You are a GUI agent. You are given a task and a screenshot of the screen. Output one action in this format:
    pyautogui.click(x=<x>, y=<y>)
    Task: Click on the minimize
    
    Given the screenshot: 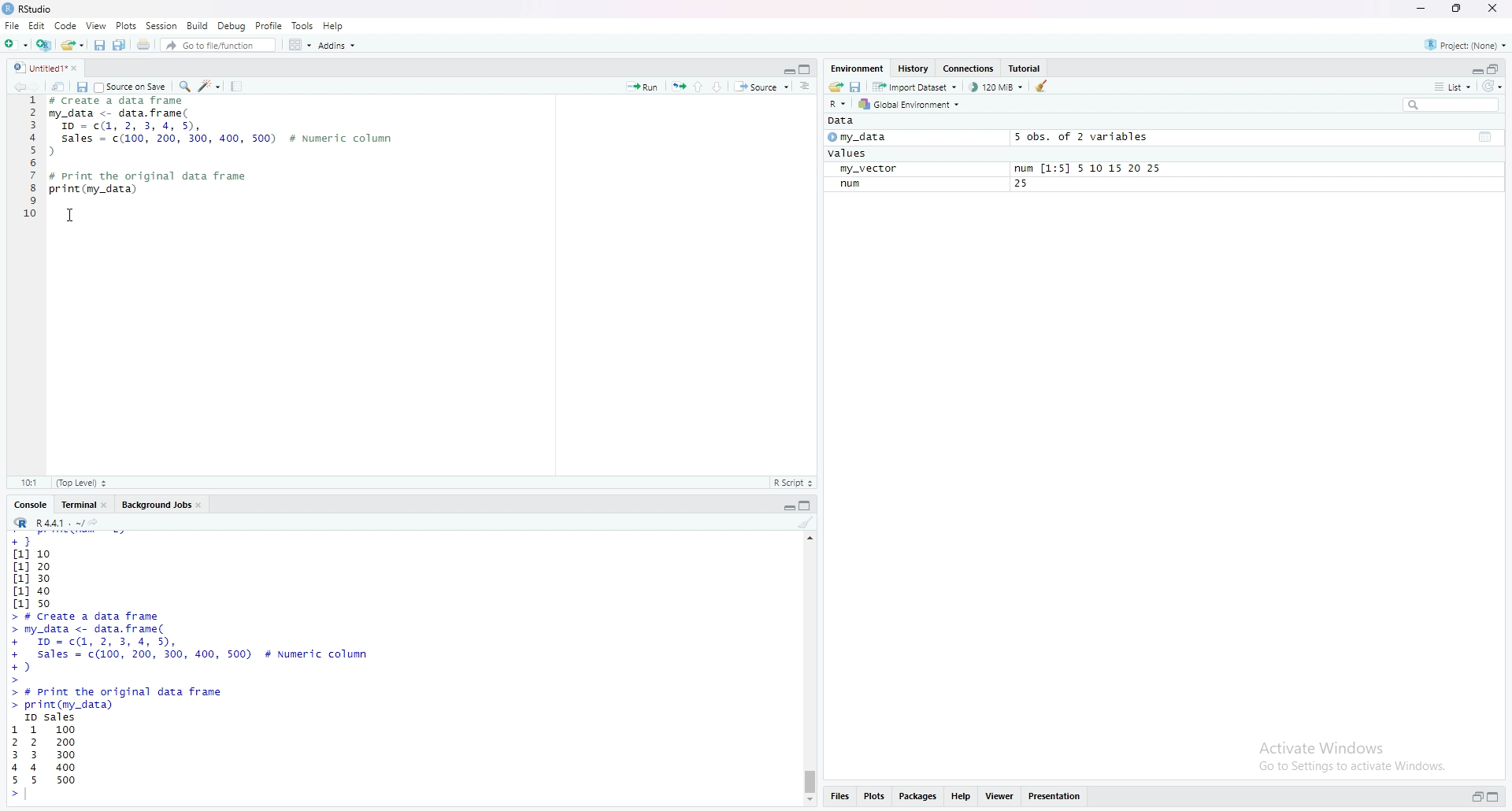 What is the action you would take?
    pyautogui.click(x=784, y=69)
    